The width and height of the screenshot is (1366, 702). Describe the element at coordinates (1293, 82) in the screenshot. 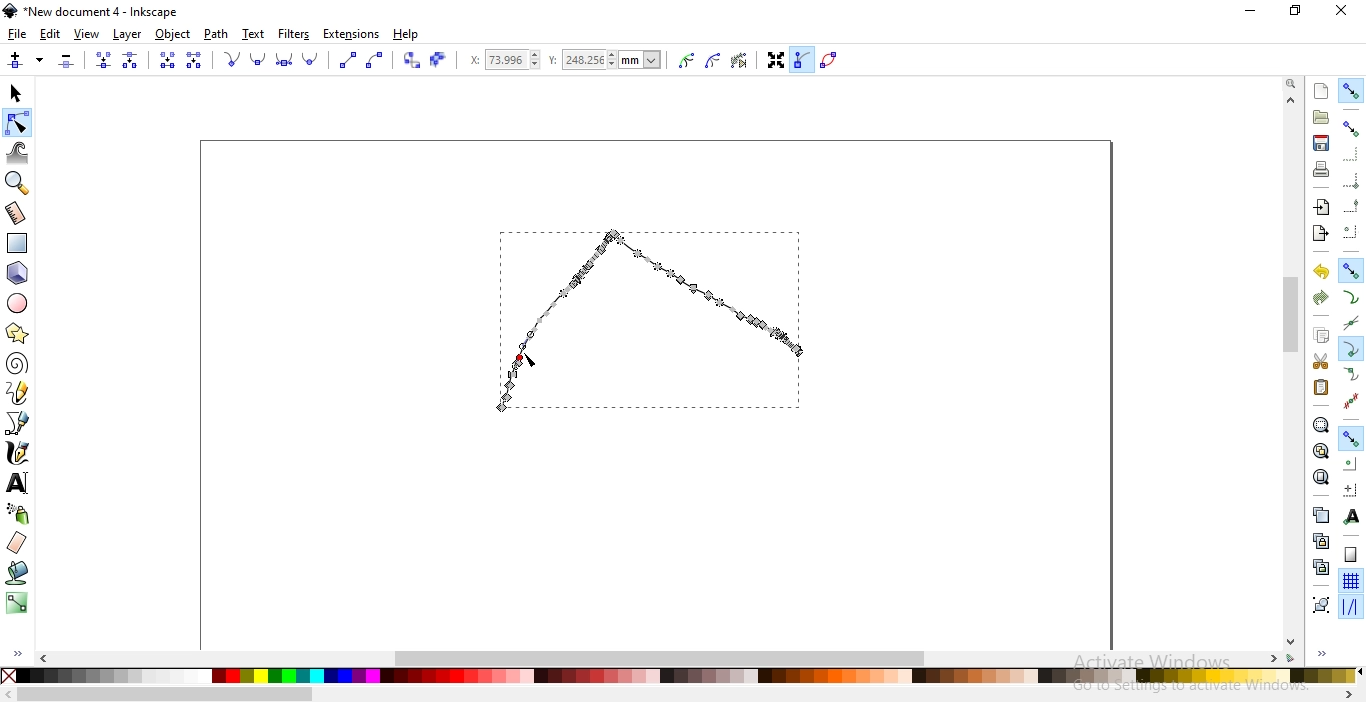

I see `zoom` at that location.